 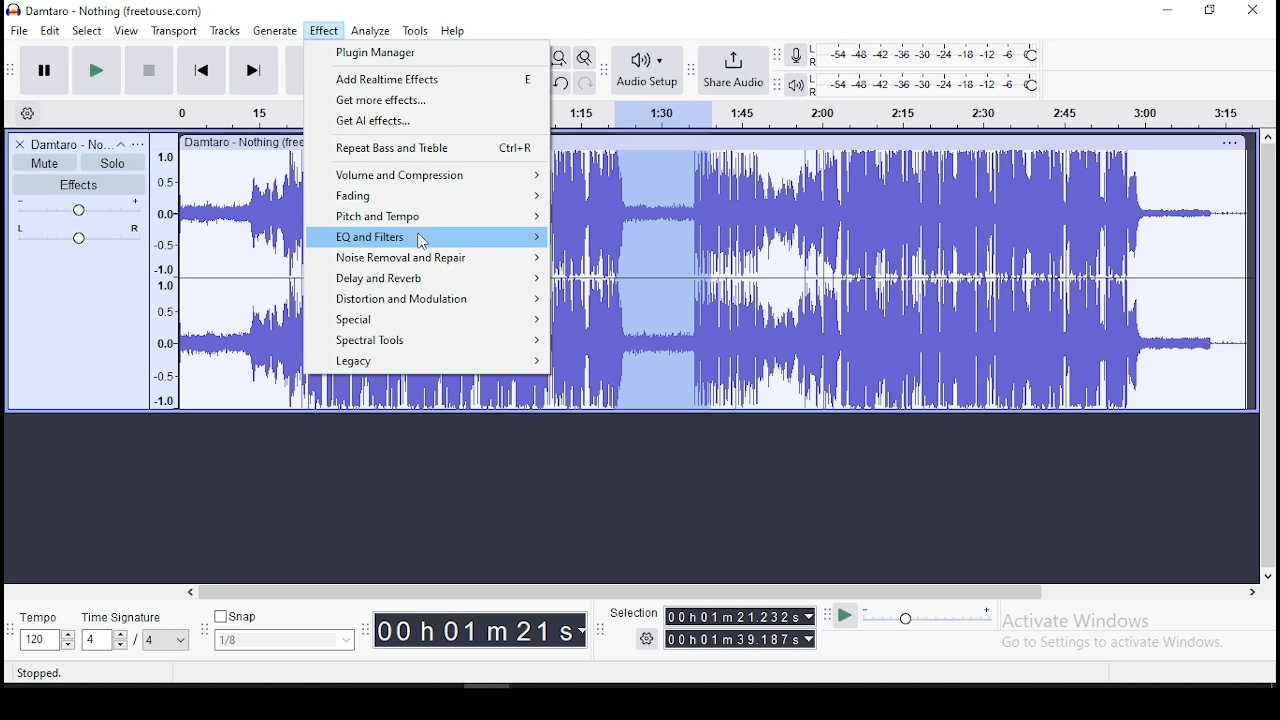 I want to click on generate, so click(x=273, y=31).